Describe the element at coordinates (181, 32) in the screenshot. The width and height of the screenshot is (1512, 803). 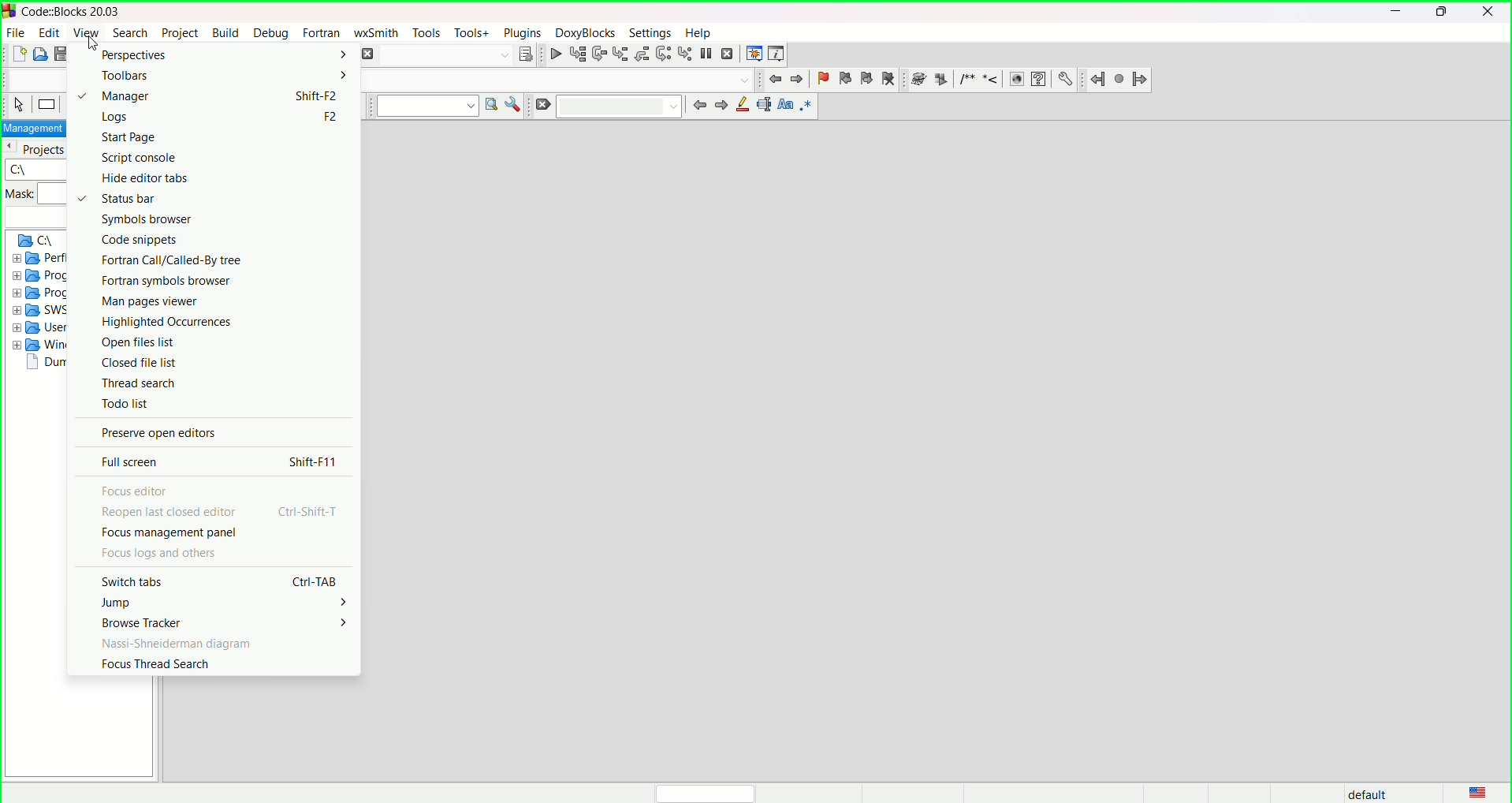
I see `project` at that location.